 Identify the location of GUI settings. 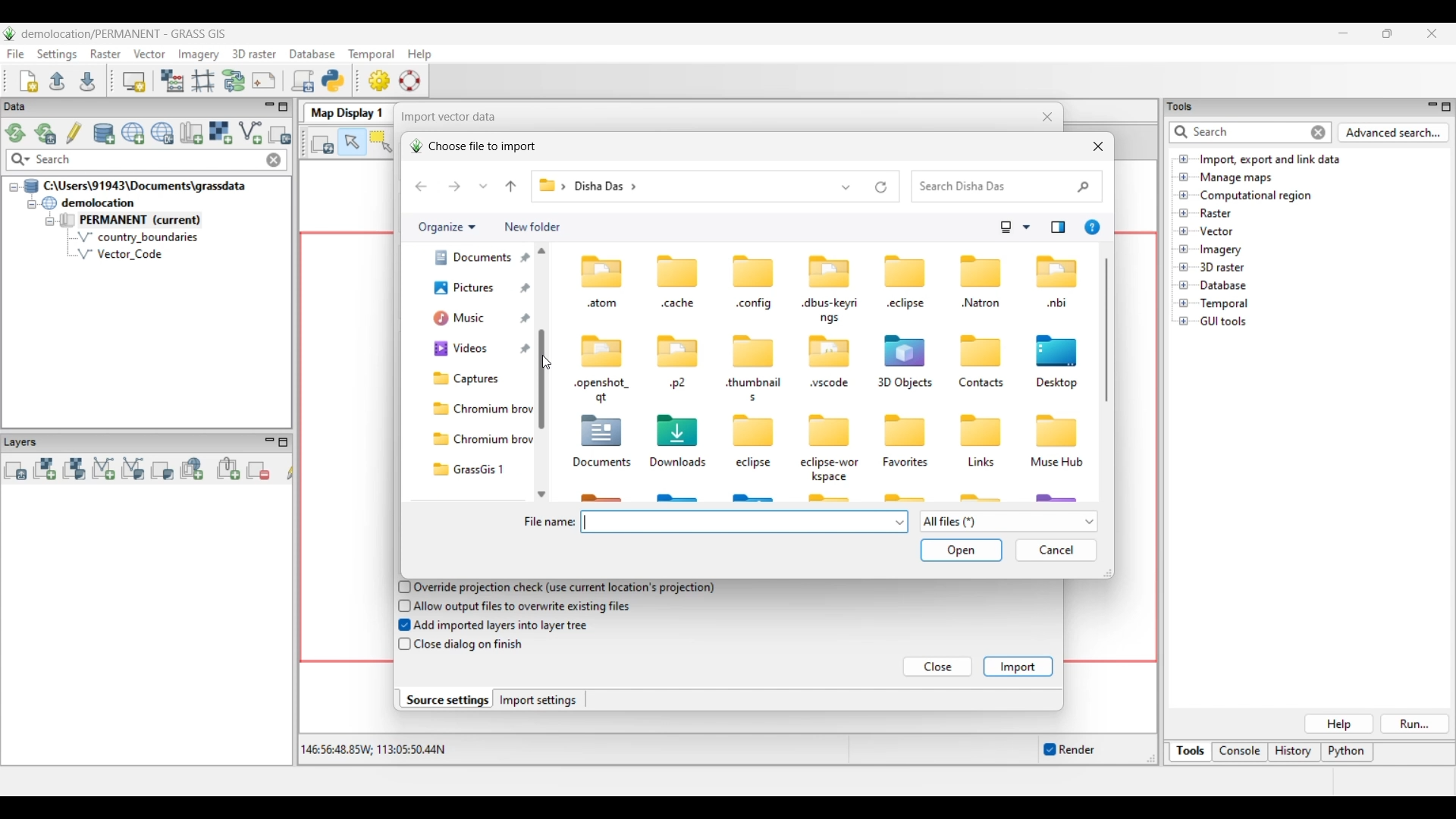
(380, 80).